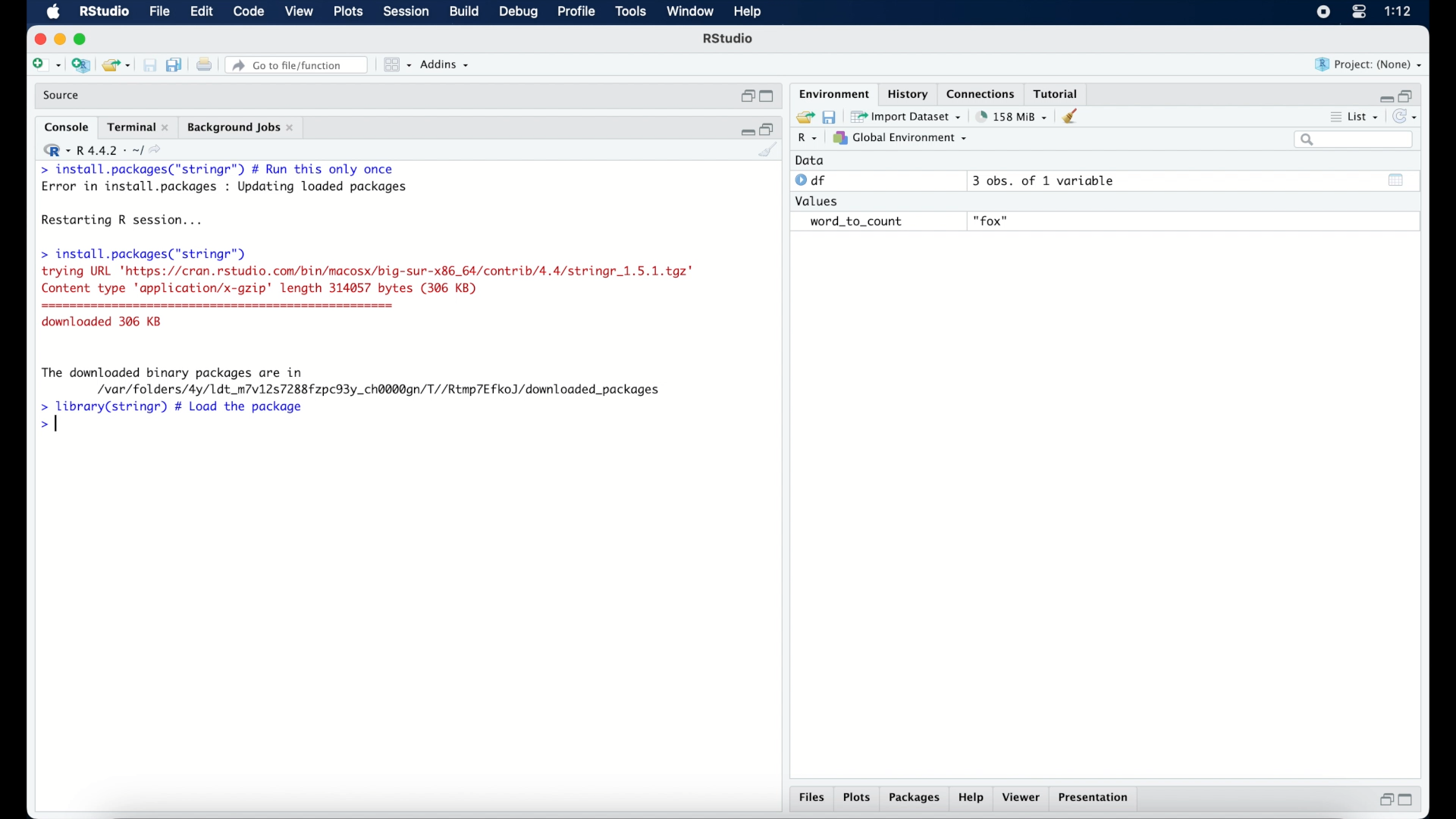 Image resolution: width=1456 pixels, height=819 pixels. Describe the element at coordinates (80, 66) in the screenshot. I see `create new project` at that location.